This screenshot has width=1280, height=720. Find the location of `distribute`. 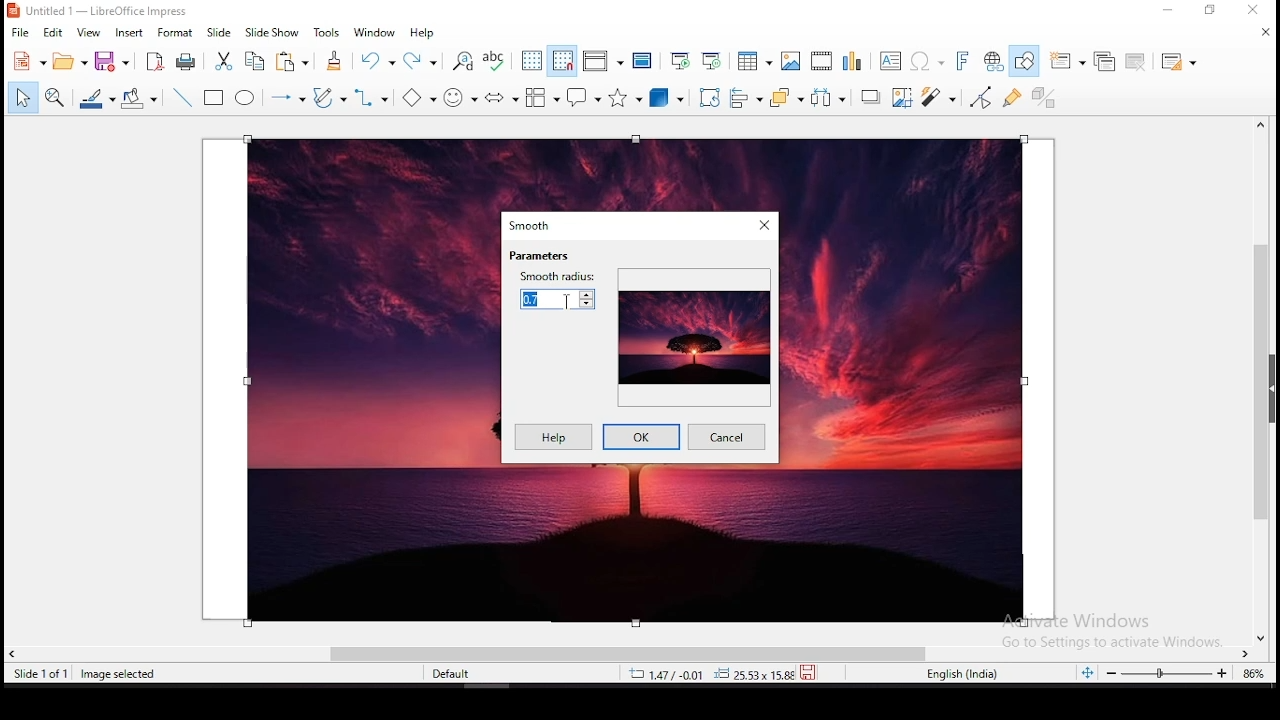

distribute is located at coordinates (828, 99).